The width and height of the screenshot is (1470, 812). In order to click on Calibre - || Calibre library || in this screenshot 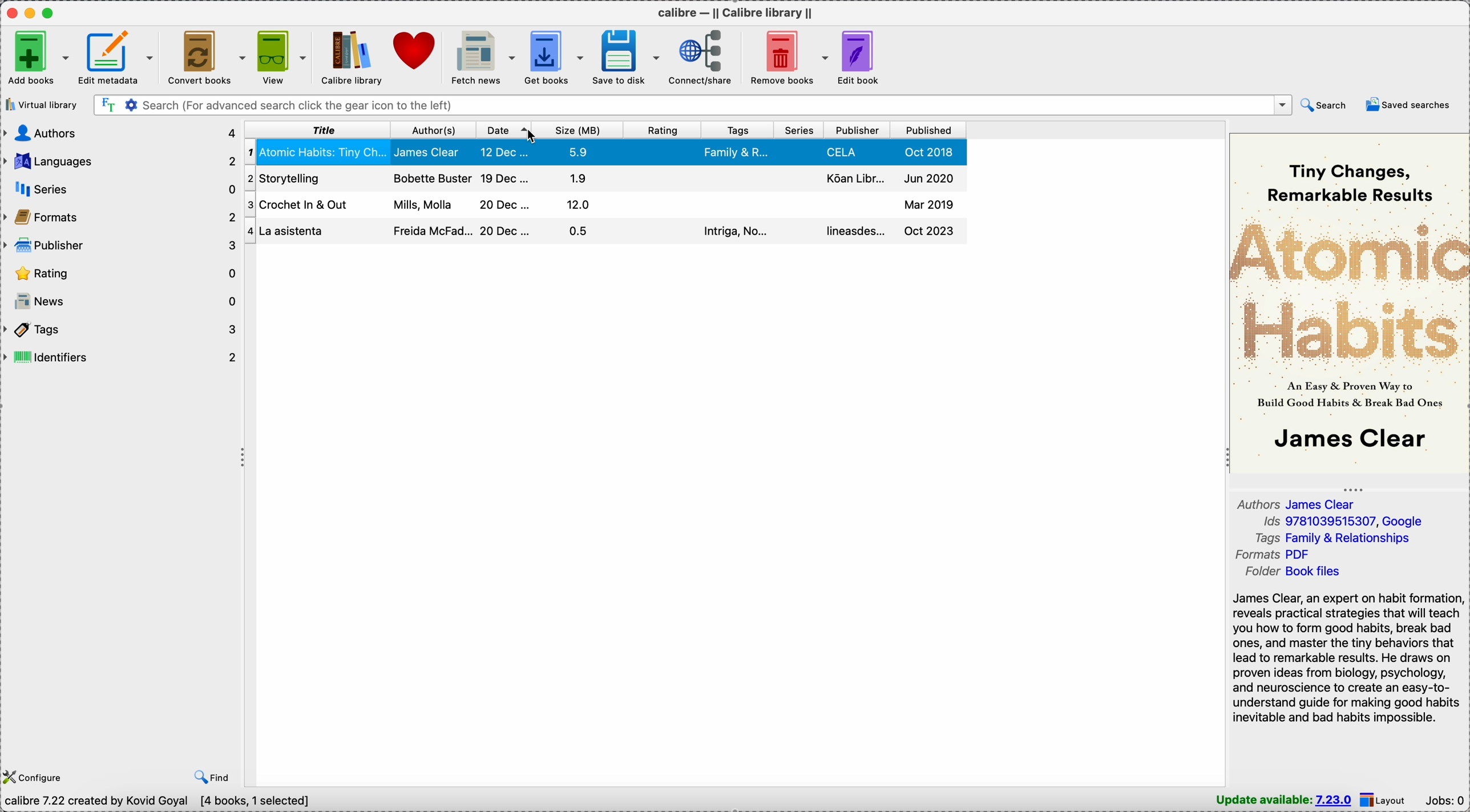, I will do `click(735, 12)`.